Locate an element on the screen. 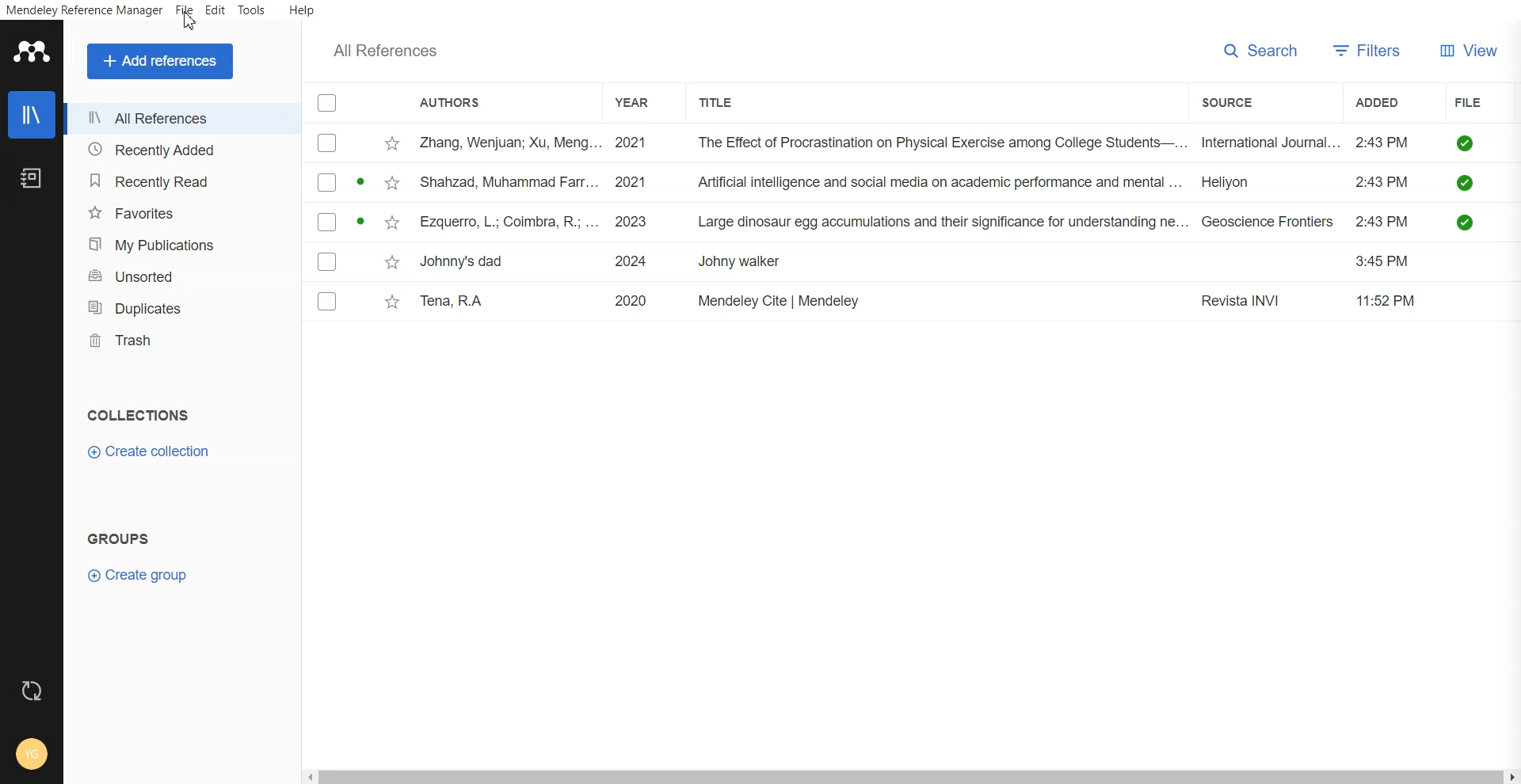 This screenshot has height=784, width=1521. Heliyon is located at coordinates (1236, 181).